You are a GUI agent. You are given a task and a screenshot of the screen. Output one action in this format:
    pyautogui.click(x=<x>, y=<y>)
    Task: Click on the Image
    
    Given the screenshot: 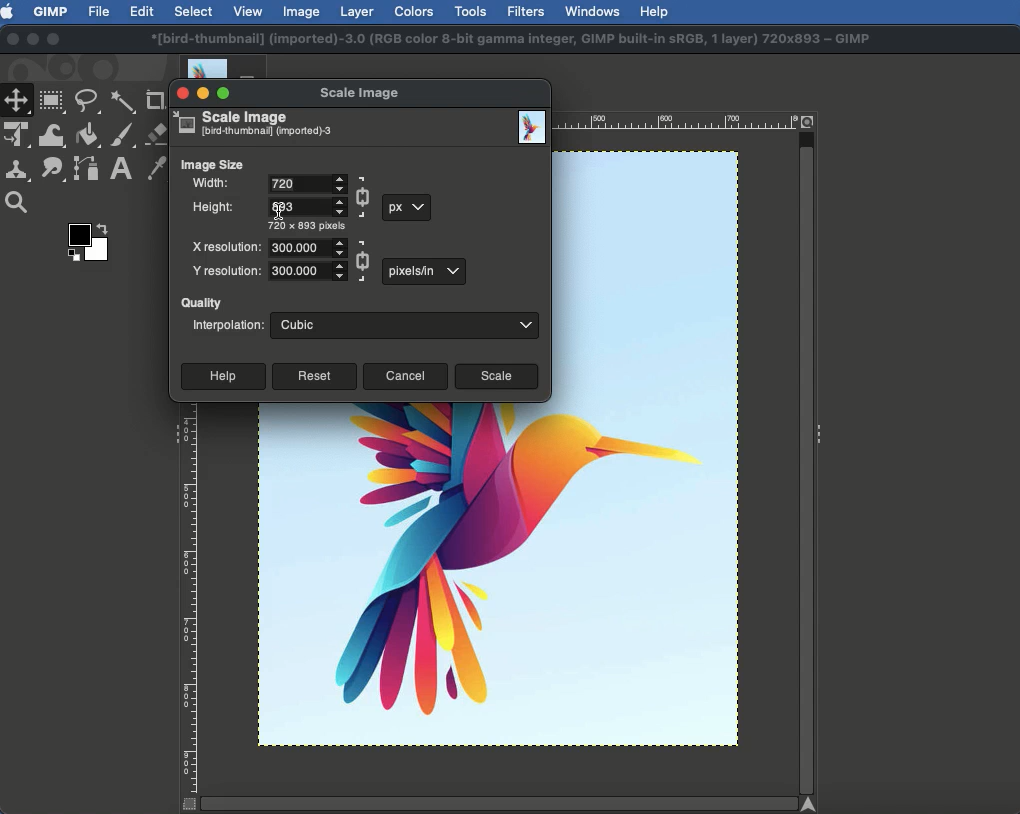 What is the action you would take?
    pyautogui.click(x=301, y=13)
    